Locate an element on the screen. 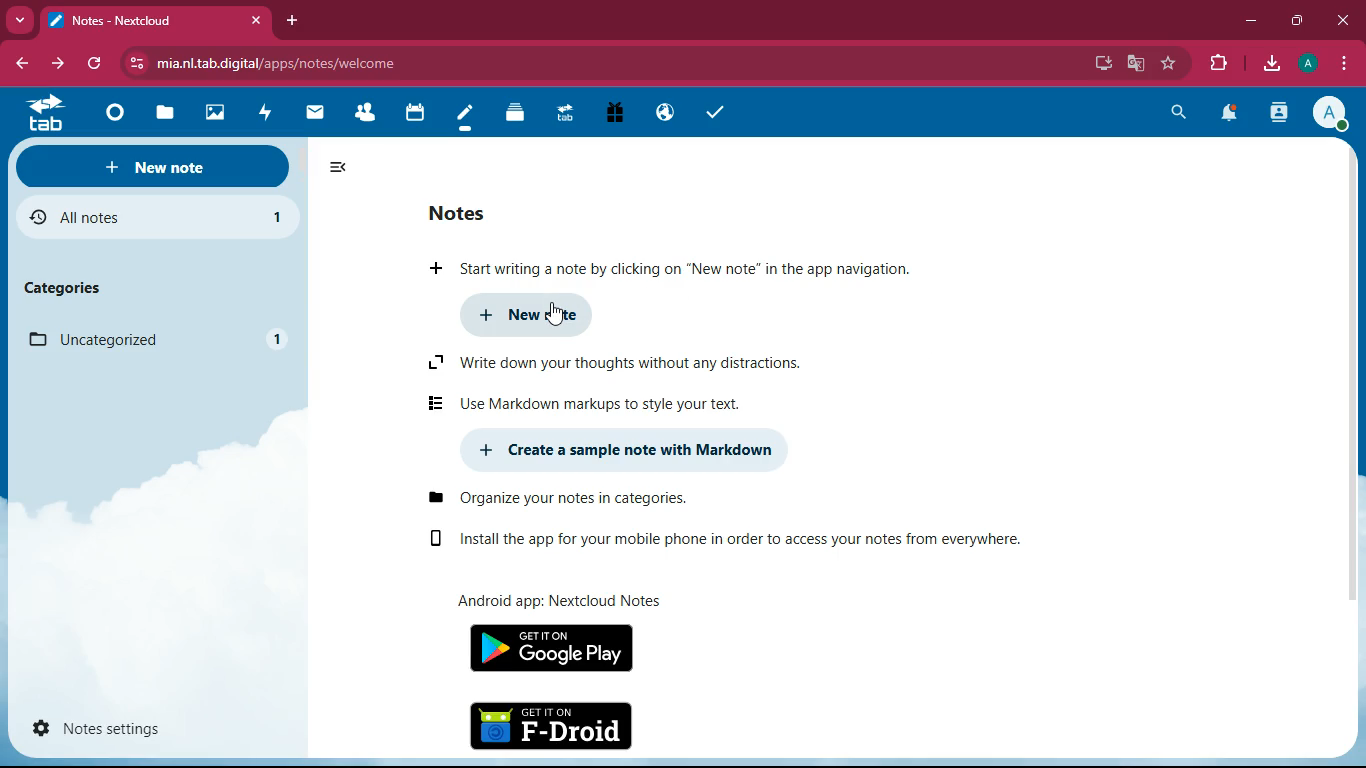 Image resolution: width=1366 pixels, height=768 pixels. forward is located at coordinates (59, 63).